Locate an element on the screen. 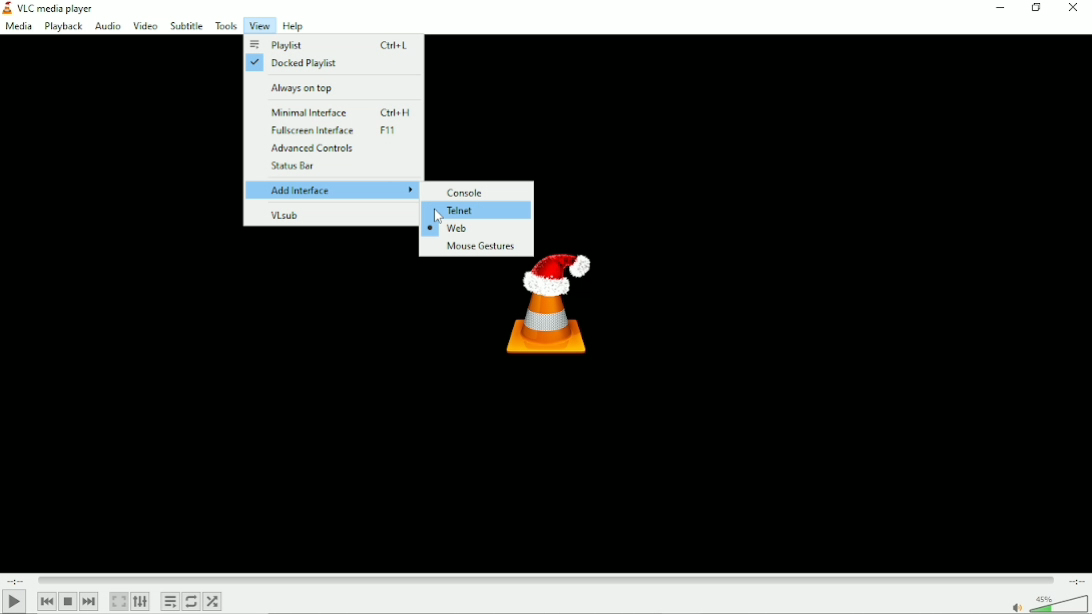 Image resolution: width=1092 pixels, height=614 pixels. Docked playlist is located at coordinates (296, 64).